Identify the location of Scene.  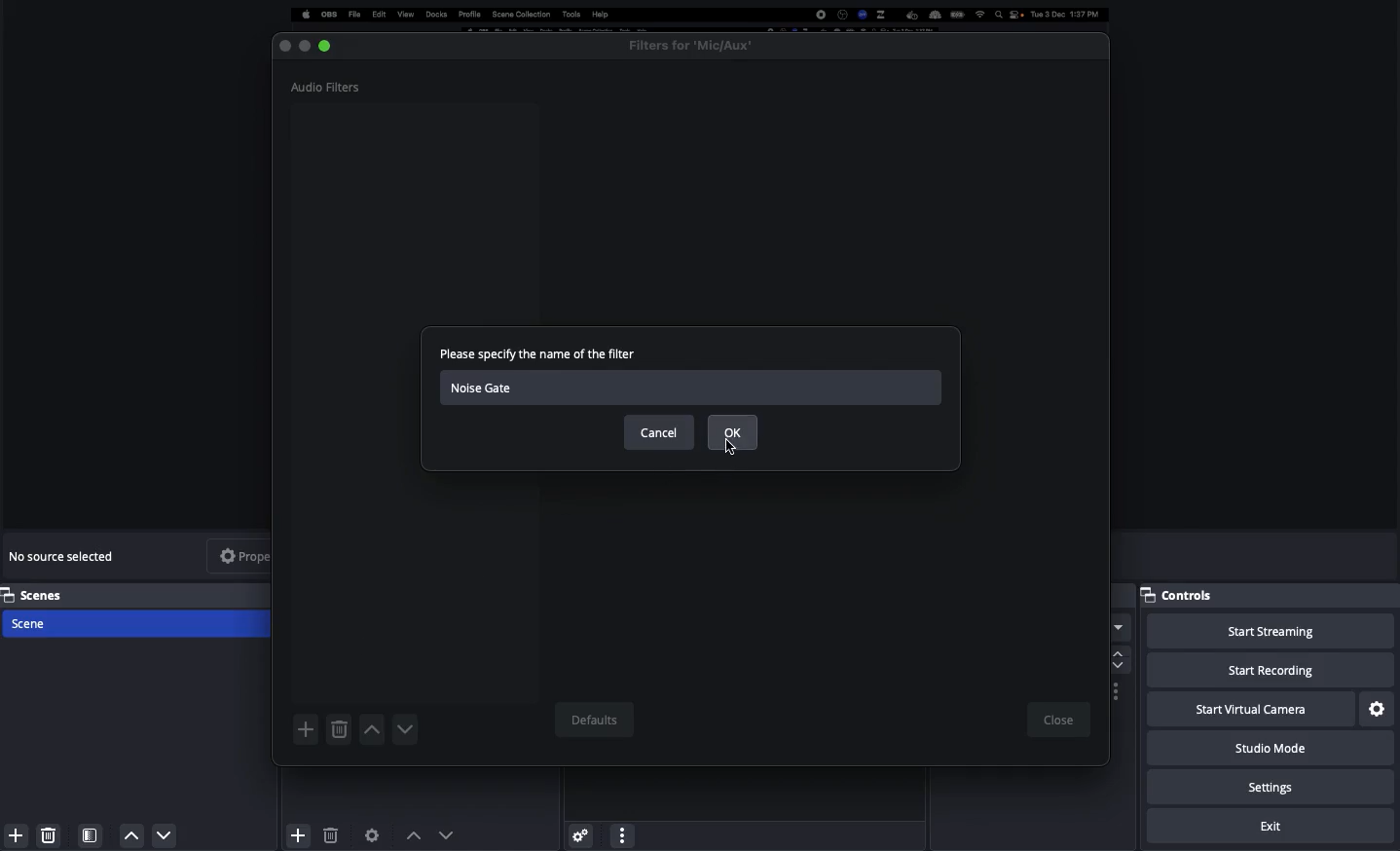
(139, 625).